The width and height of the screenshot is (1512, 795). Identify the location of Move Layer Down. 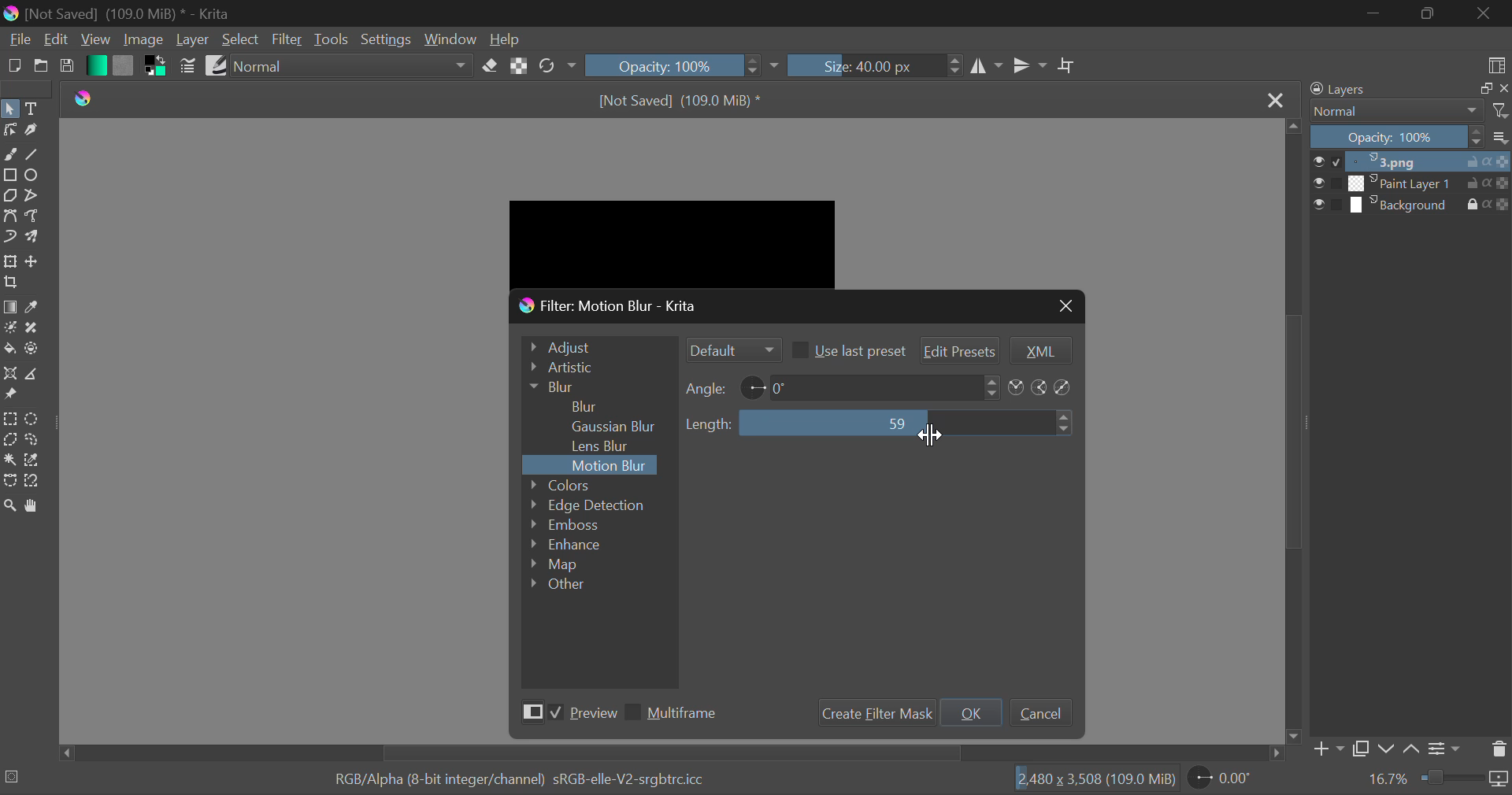
(1386, 749).